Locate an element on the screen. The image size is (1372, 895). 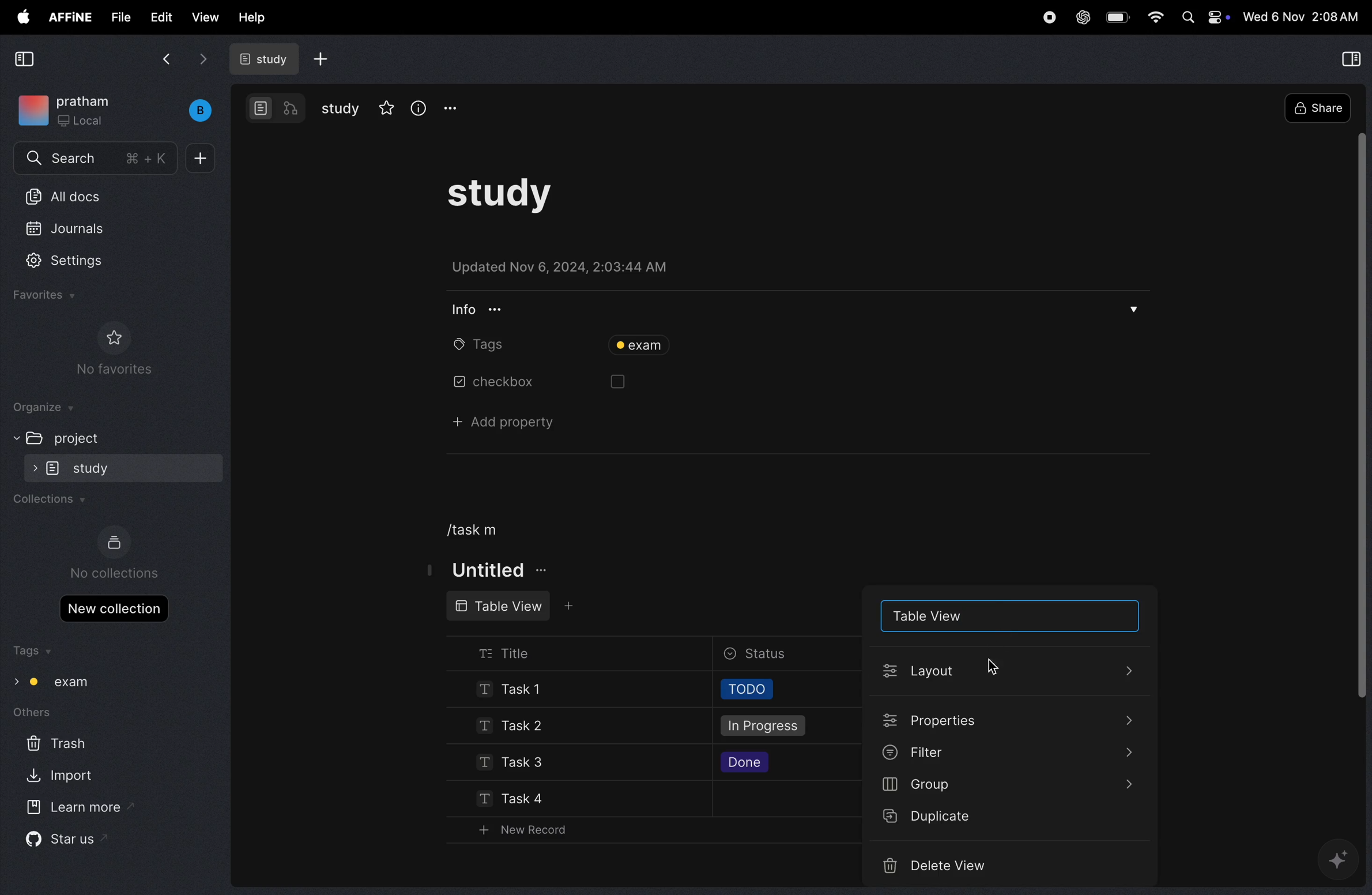
lauout is located at coordinates (1009, 671).